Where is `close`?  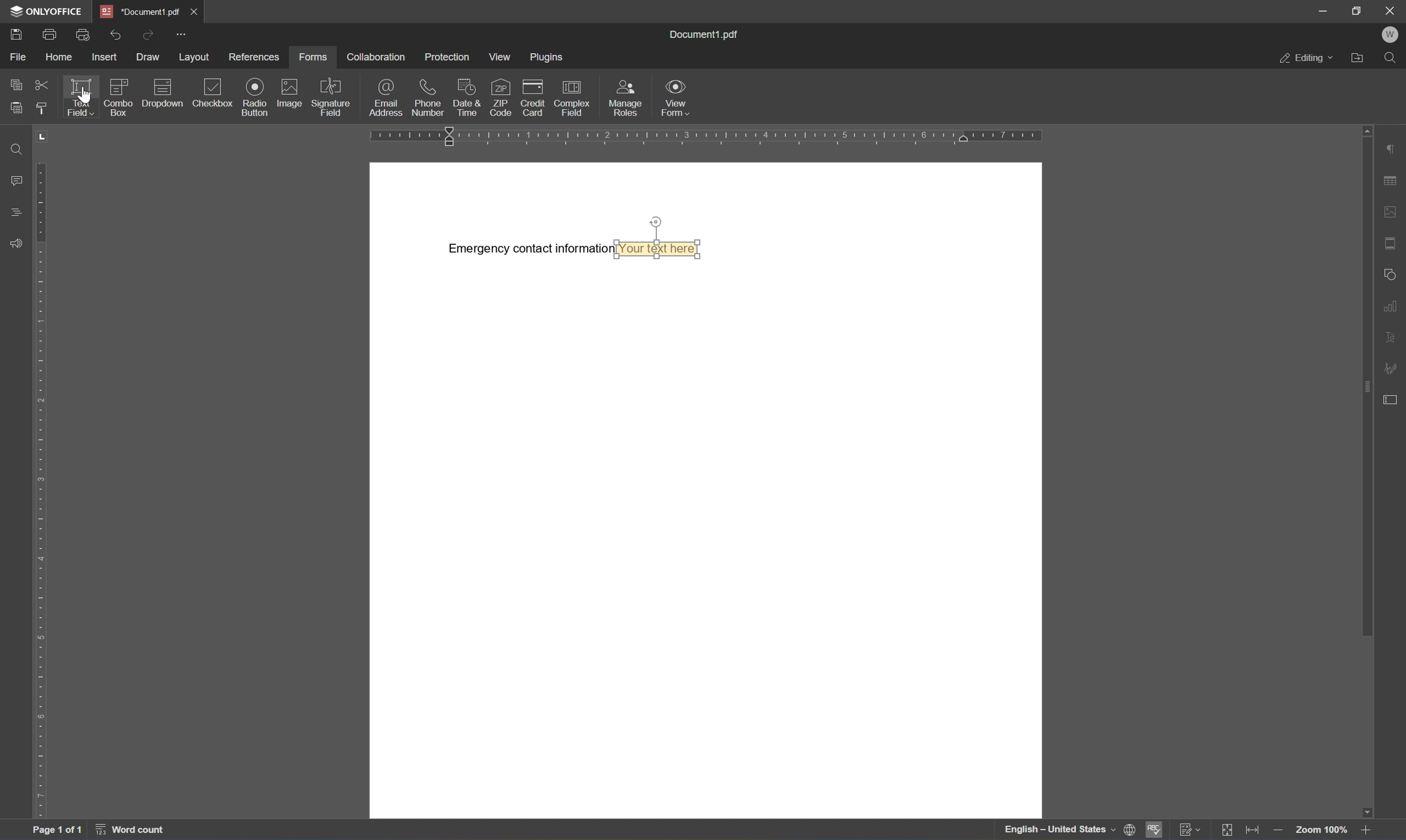 close is located at coordinates (193, 10).